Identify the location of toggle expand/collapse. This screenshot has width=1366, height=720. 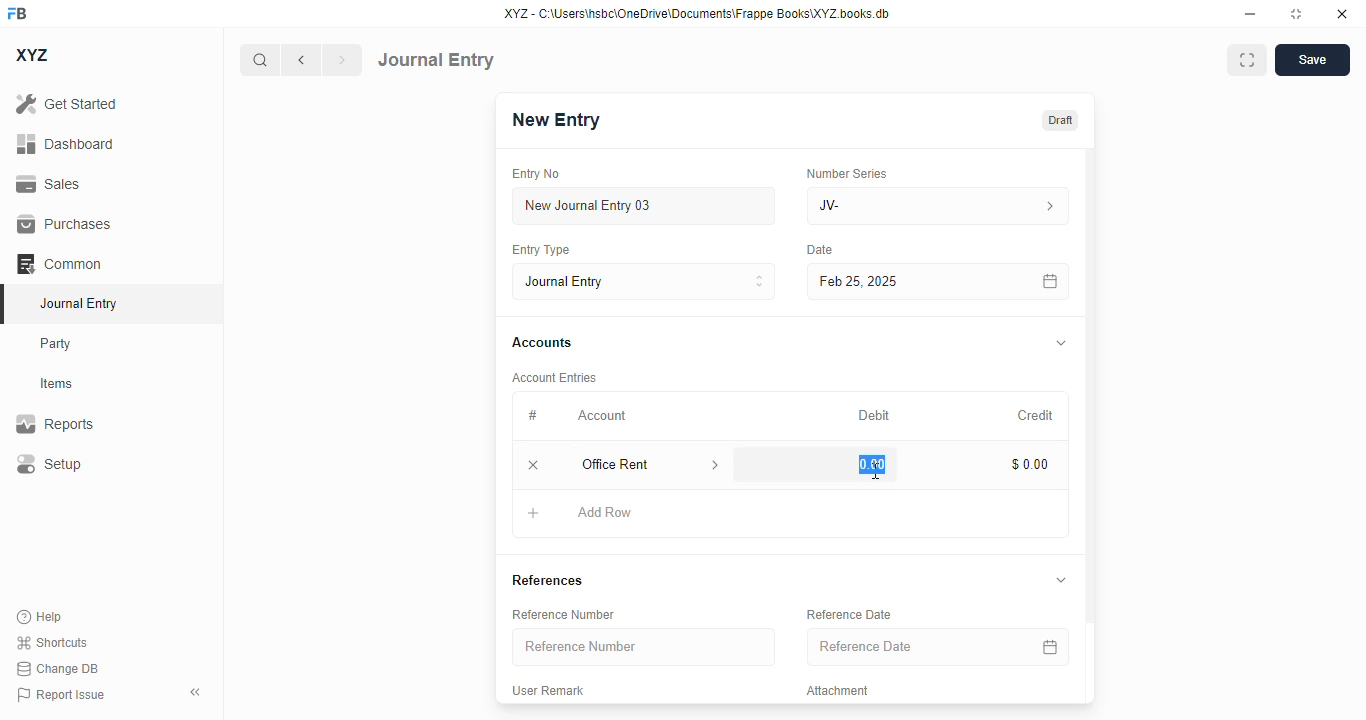
(1062, 343).